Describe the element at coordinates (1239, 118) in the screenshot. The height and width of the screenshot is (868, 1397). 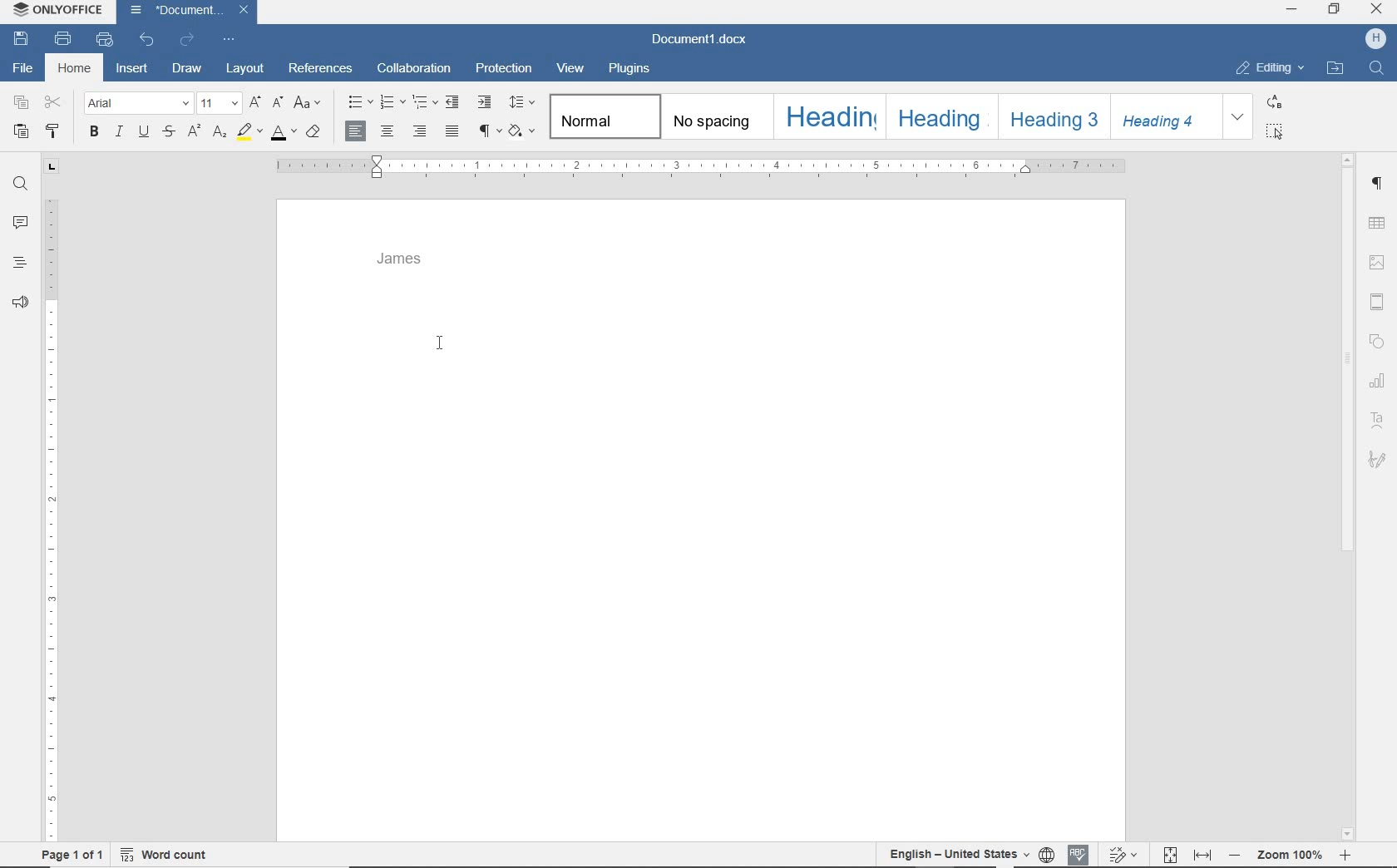
I see `EXPAND` at that location.